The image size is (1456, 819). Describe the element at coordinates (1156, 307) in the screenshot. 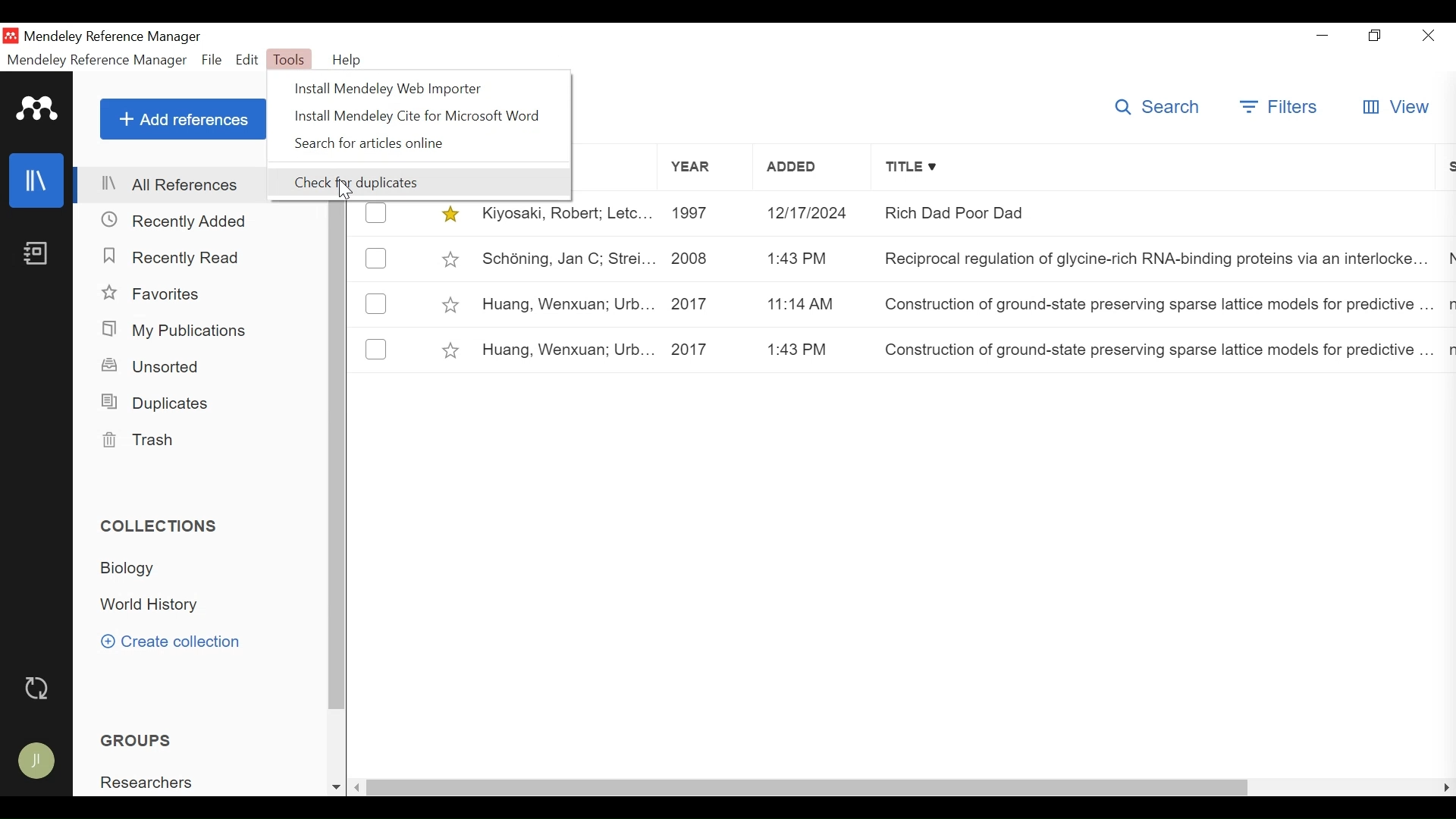

I see `Construction of ground-state preserving sparse lattice models for predictive machine simulations` at that location.